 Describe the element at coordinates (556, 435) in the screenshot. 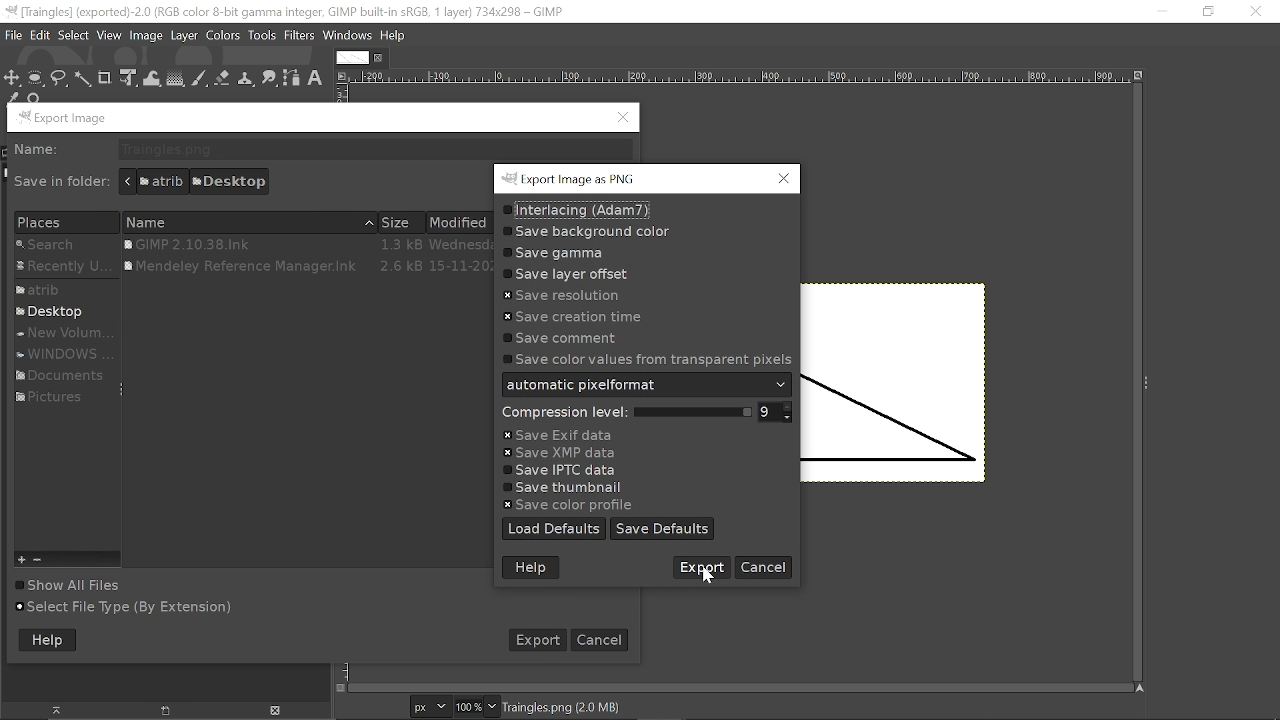

I see `Save exit data` at that location.